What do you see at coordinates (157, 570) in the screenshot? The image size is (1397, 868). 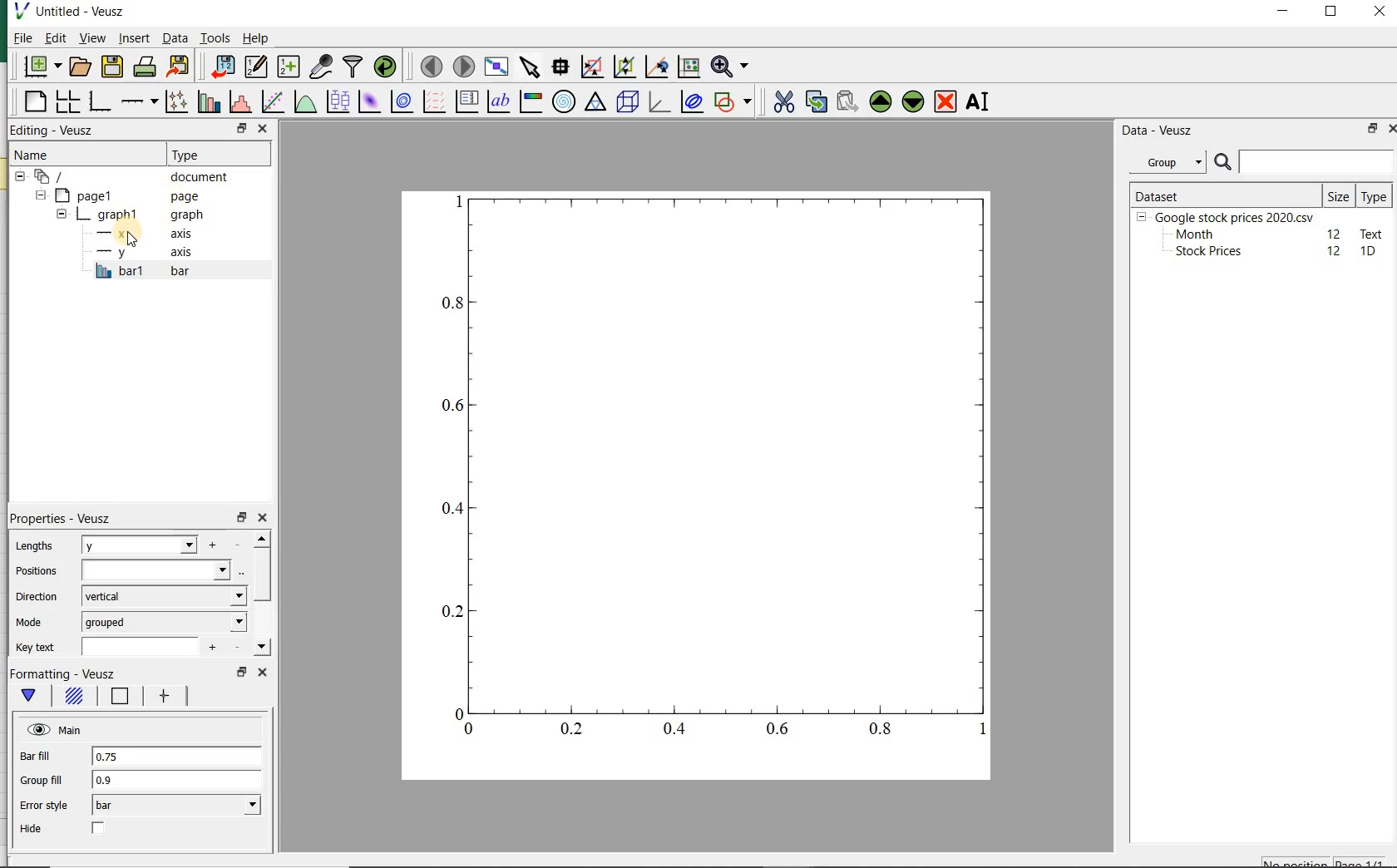 I see `input field` at bounding box center [157, 570].